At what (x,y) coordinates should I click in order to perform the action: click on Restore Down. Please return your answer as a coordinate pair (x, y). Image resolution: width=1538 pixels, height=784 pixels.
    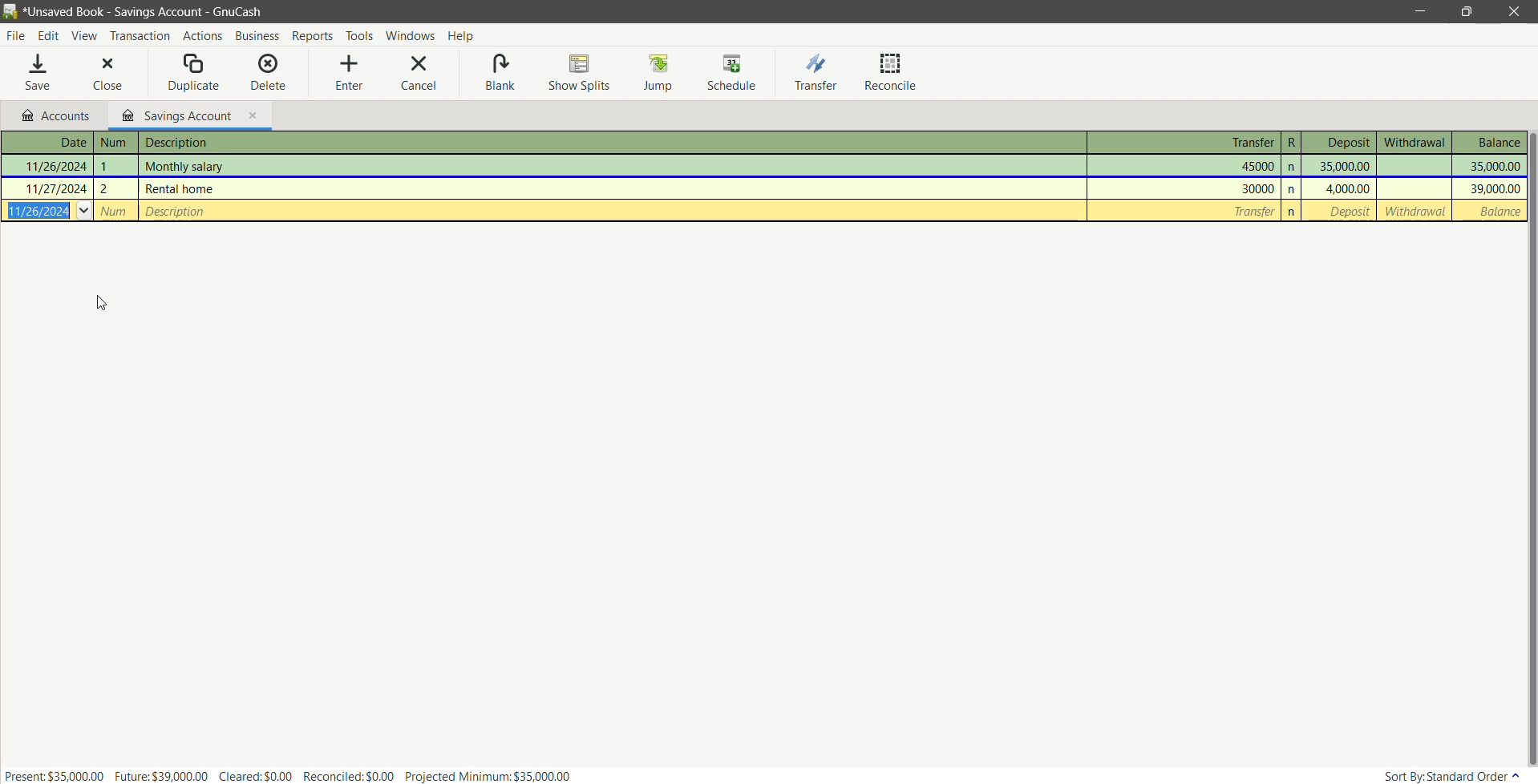
    Looking at the image, I should click on (1467, 11).